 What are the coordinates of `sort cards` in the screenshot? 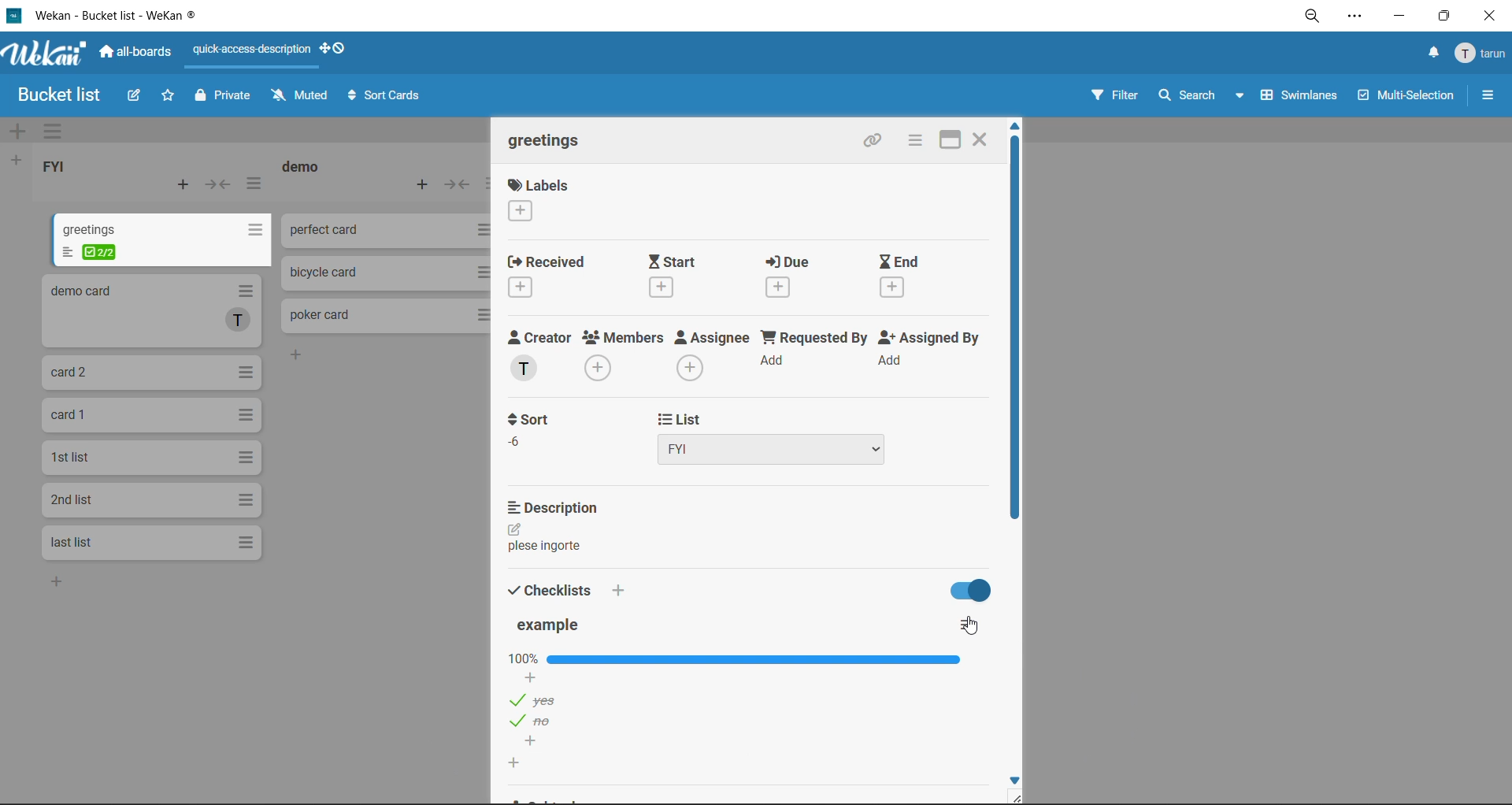 It's located at (387, 95).